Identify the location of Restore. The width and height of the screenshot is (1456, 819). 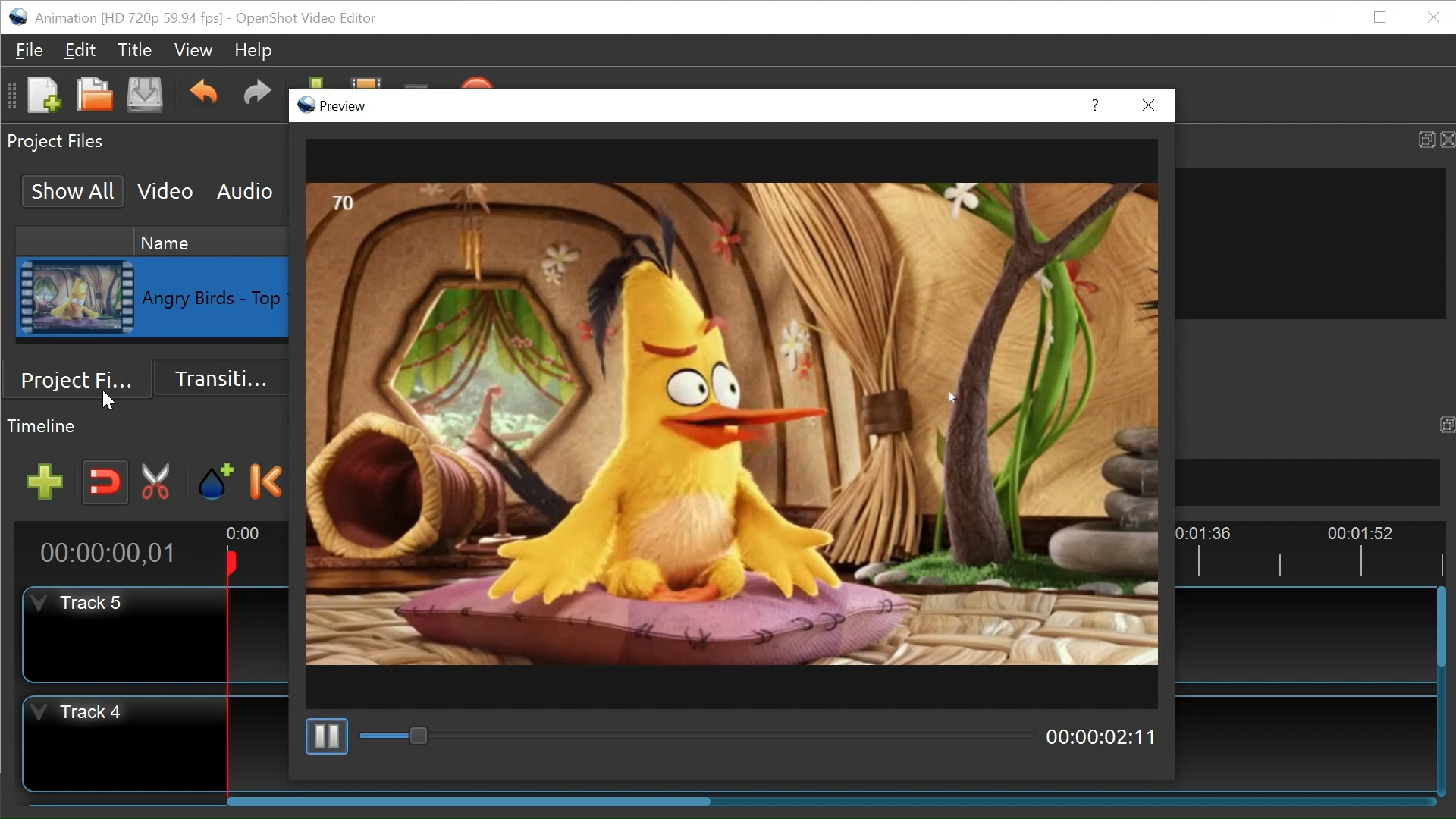
(1379, 17).